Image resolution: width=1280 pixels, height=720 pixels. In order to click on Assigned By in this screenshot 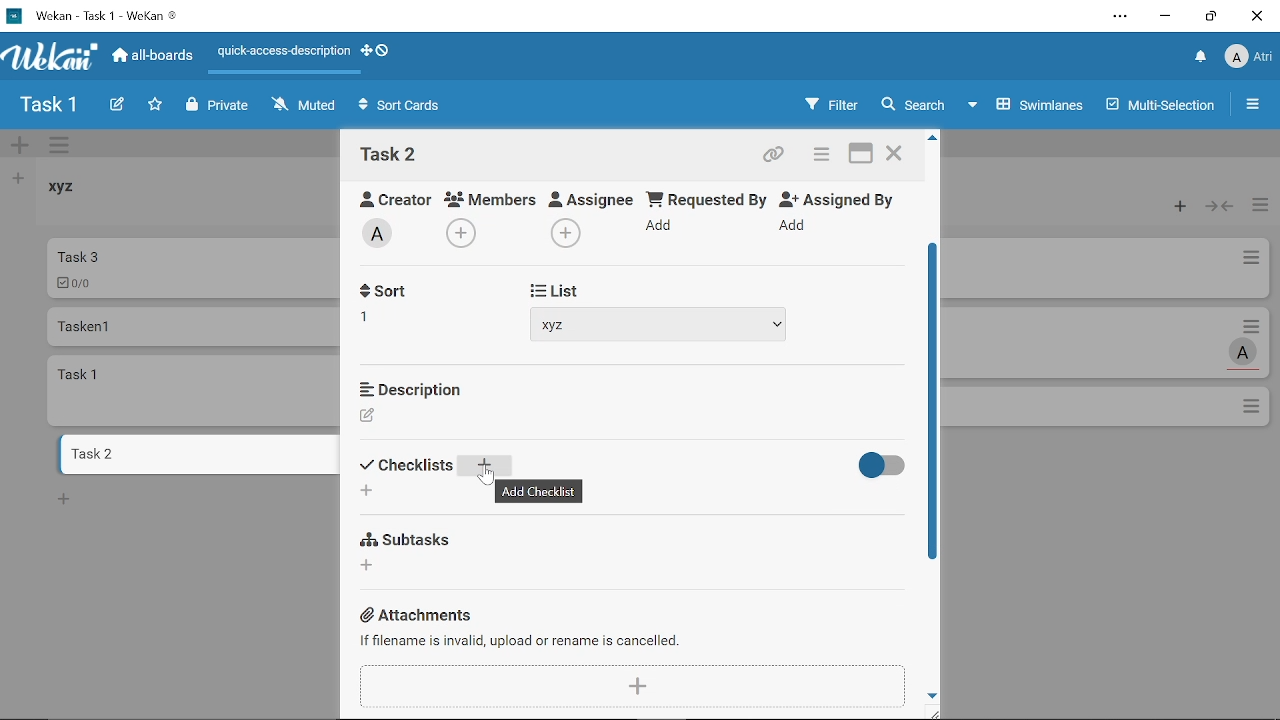, I will do `click(844, 198)`.